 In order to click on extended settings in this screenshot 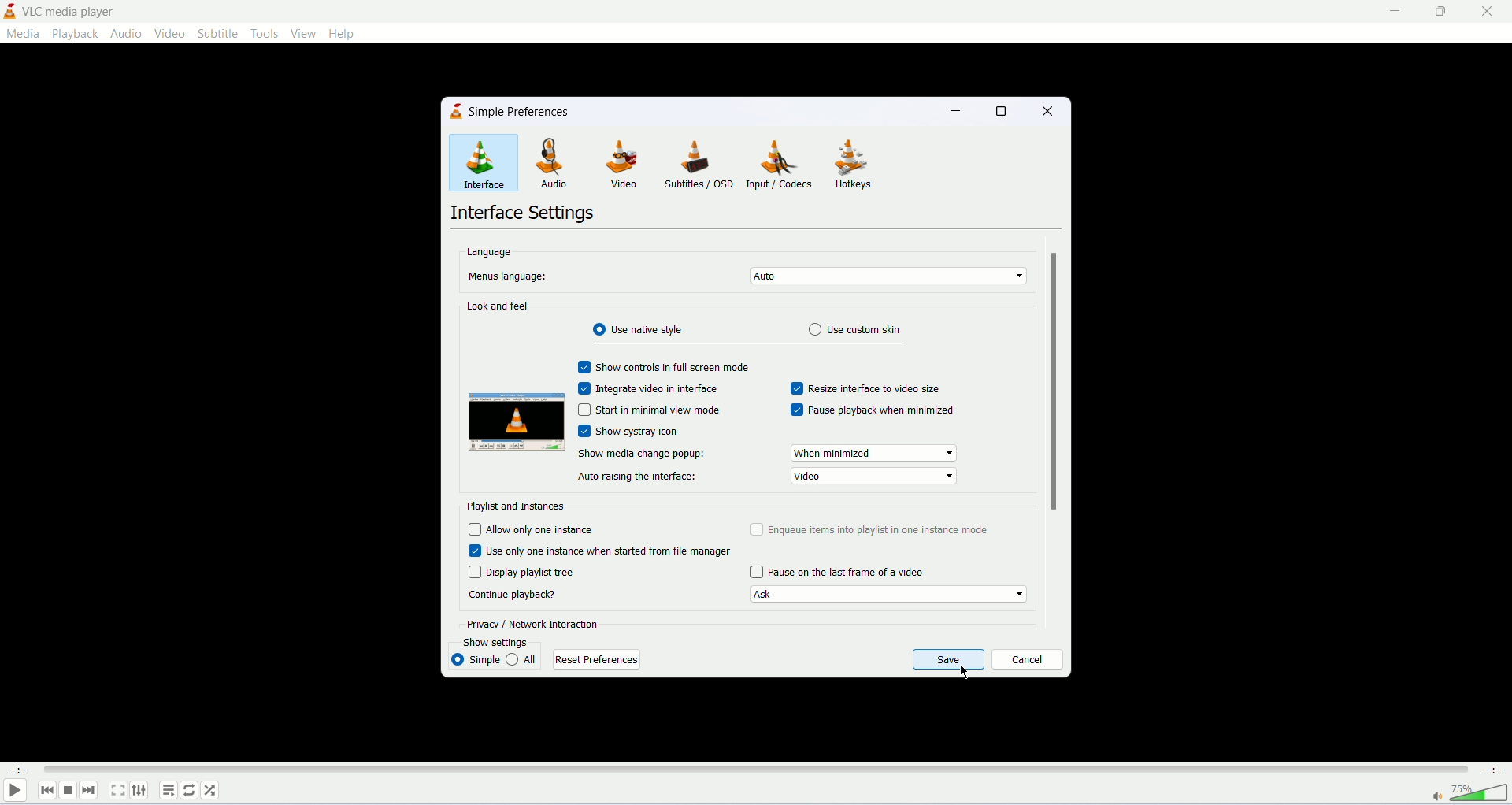, I will do `click(143, 791)`.